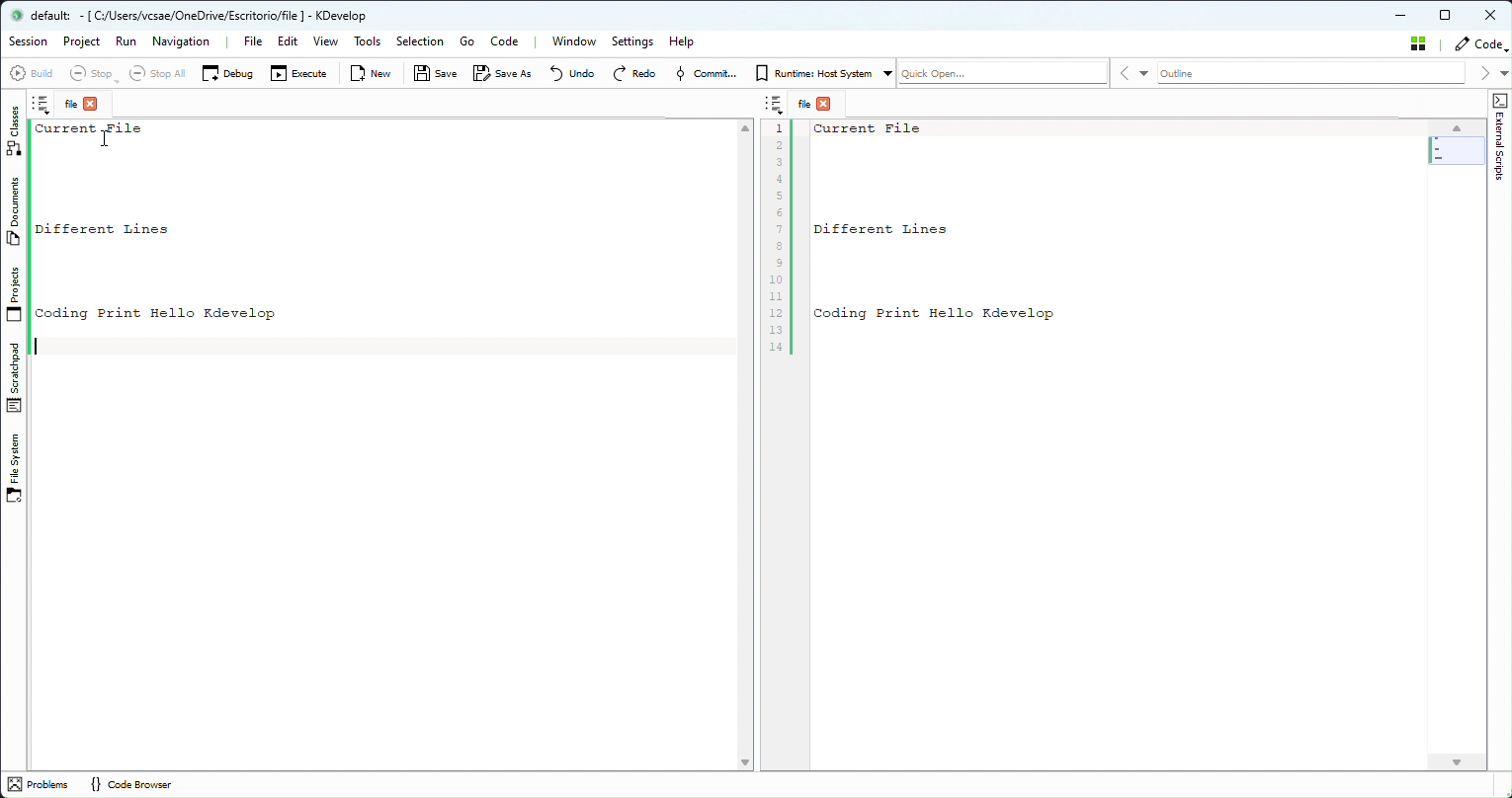  I want to click on Select all, so click(161, 74).